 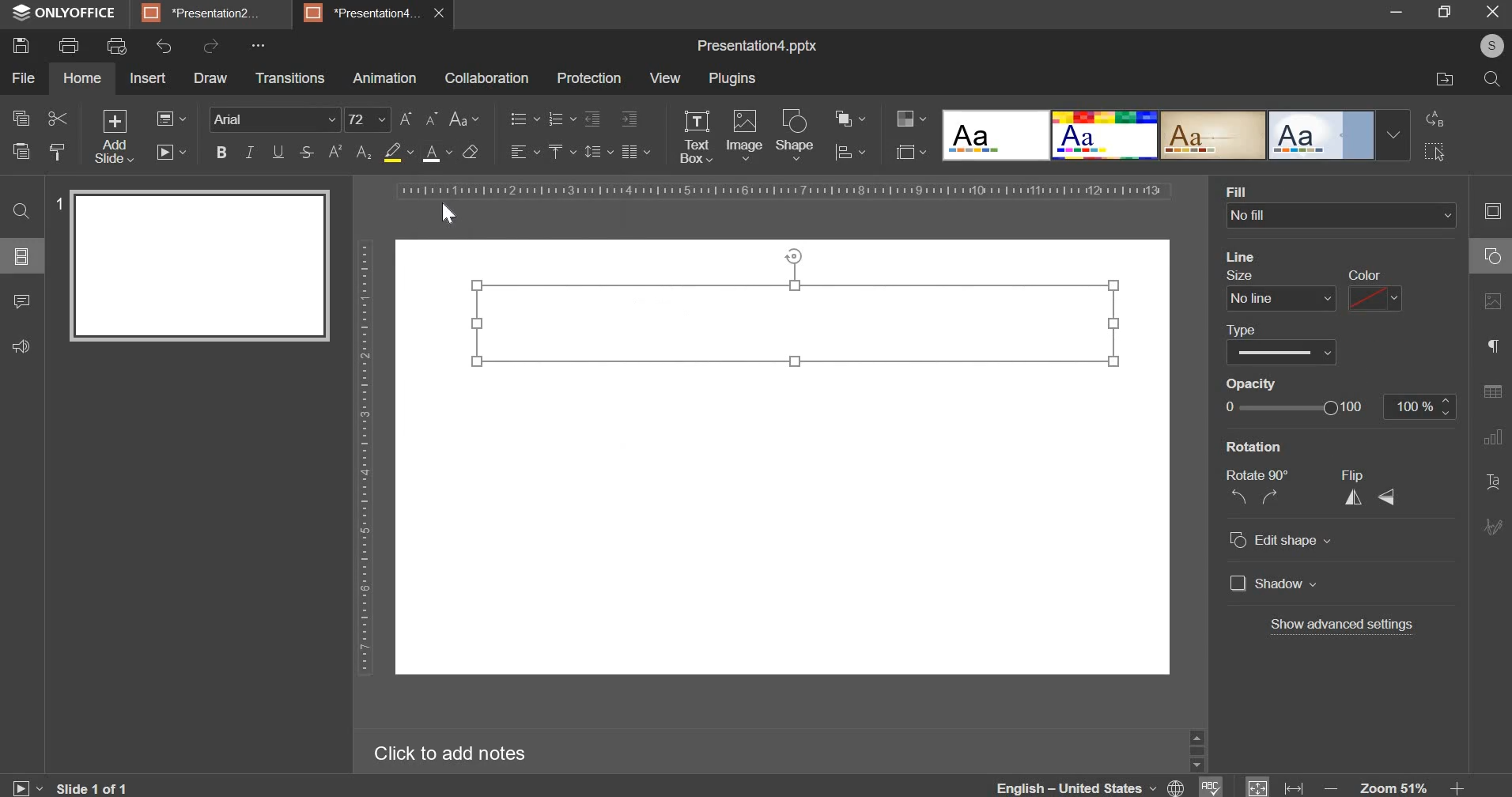 What do you see at coordinates (28, 784) in the screenshot?
I see `Play` at bounding box center [28, 784].